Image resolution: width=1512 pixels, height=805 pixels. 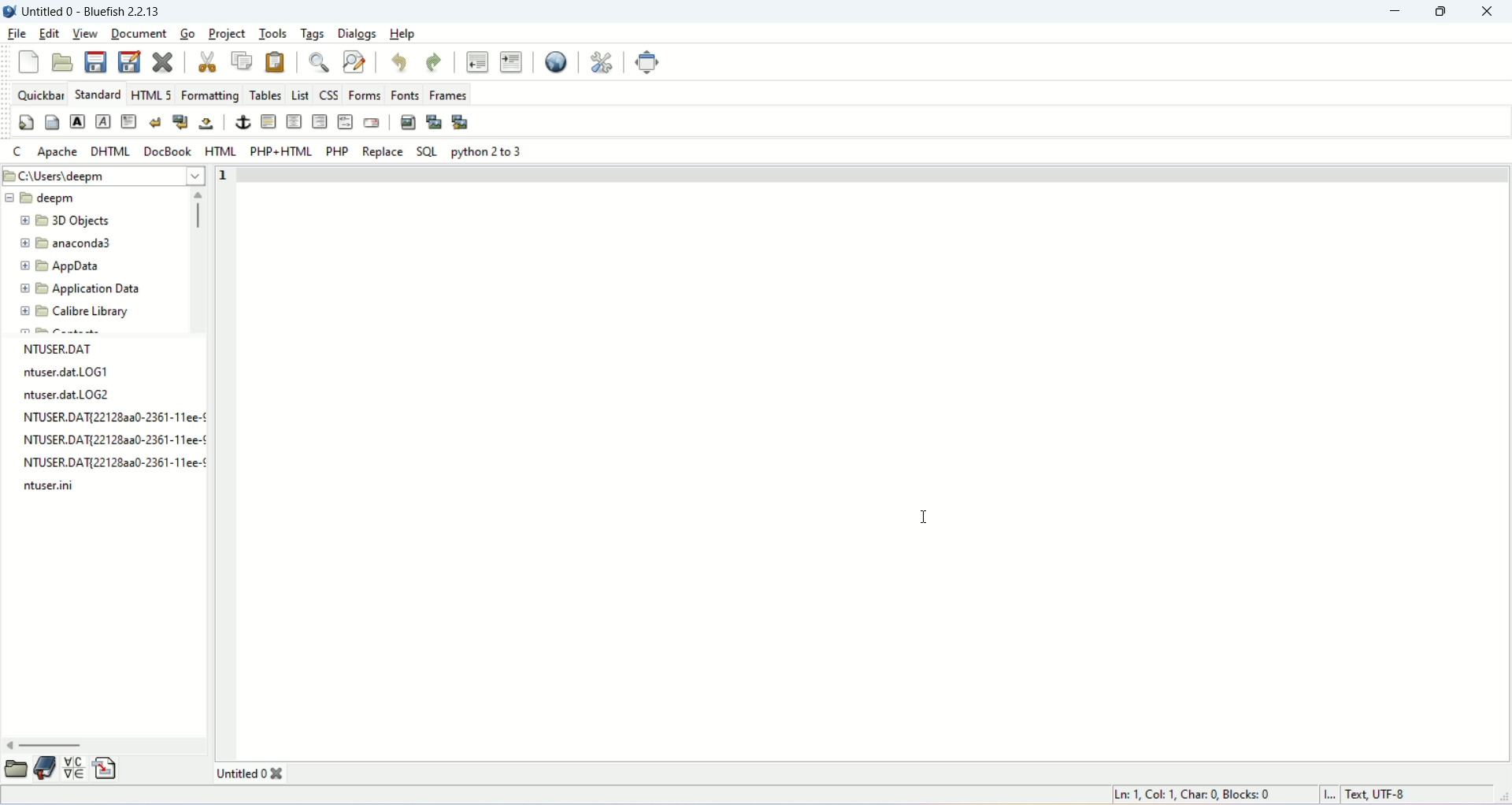 What do you see at coordinates (15, 770) in the screenshot?
I see `browse file` at bounding box center [15, 770].